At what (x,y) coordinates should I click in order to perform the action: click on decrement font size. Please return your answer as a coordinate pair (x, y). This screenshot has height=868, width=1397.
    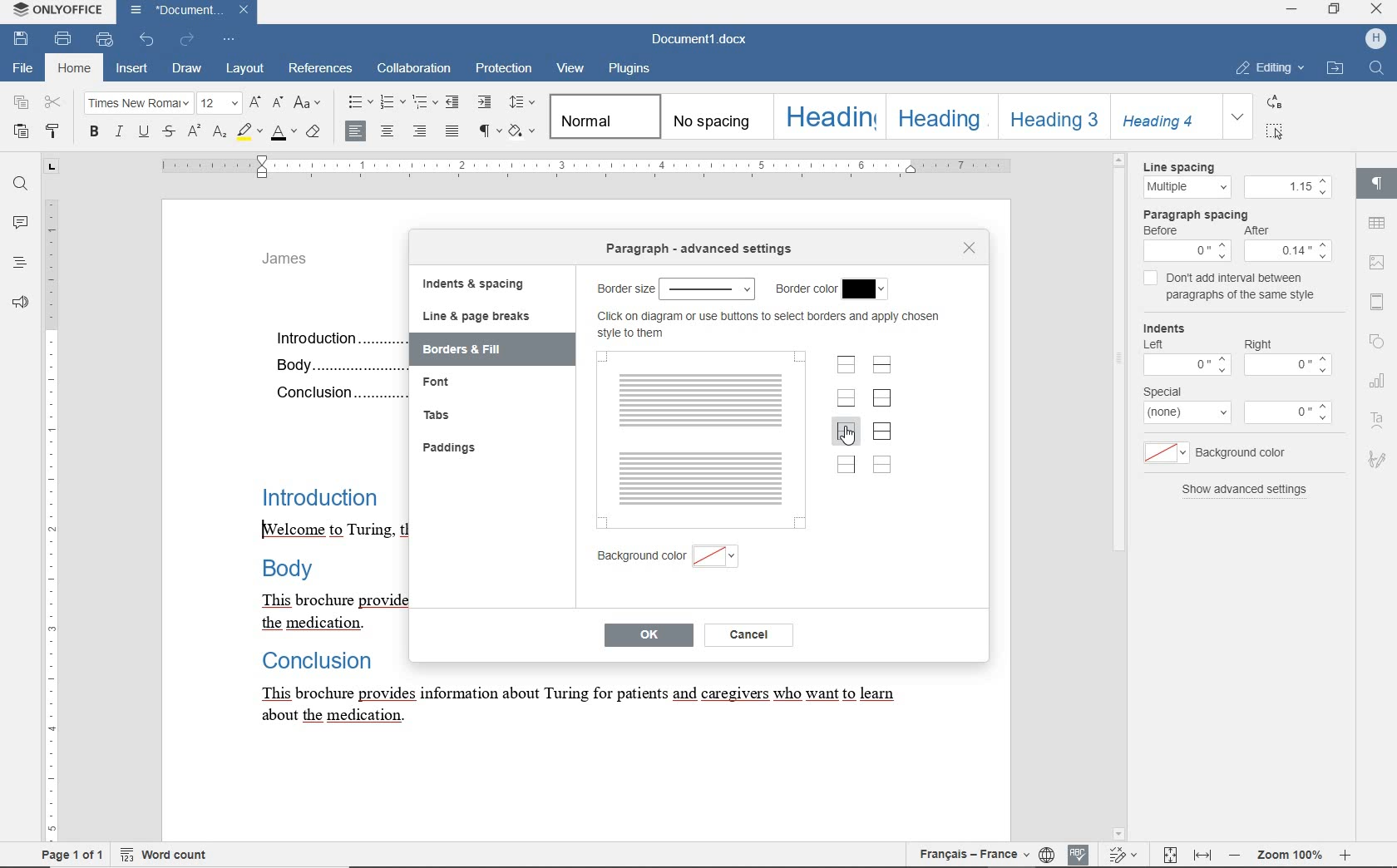
    Looking at the image, I should click on (279, 104).